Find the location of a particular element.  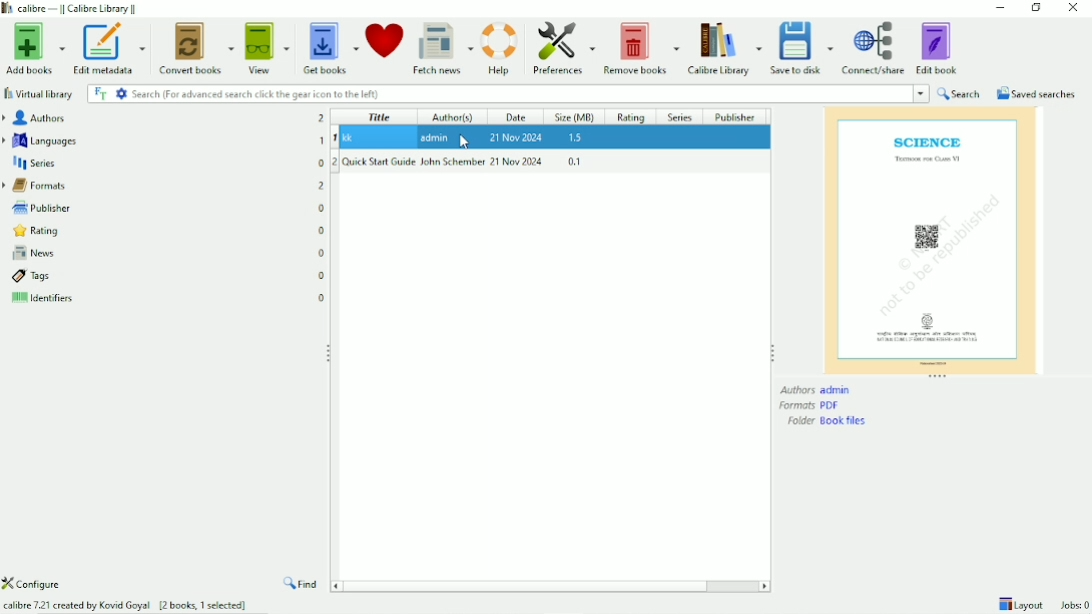

Publisher is located at coordinates (734, 116).